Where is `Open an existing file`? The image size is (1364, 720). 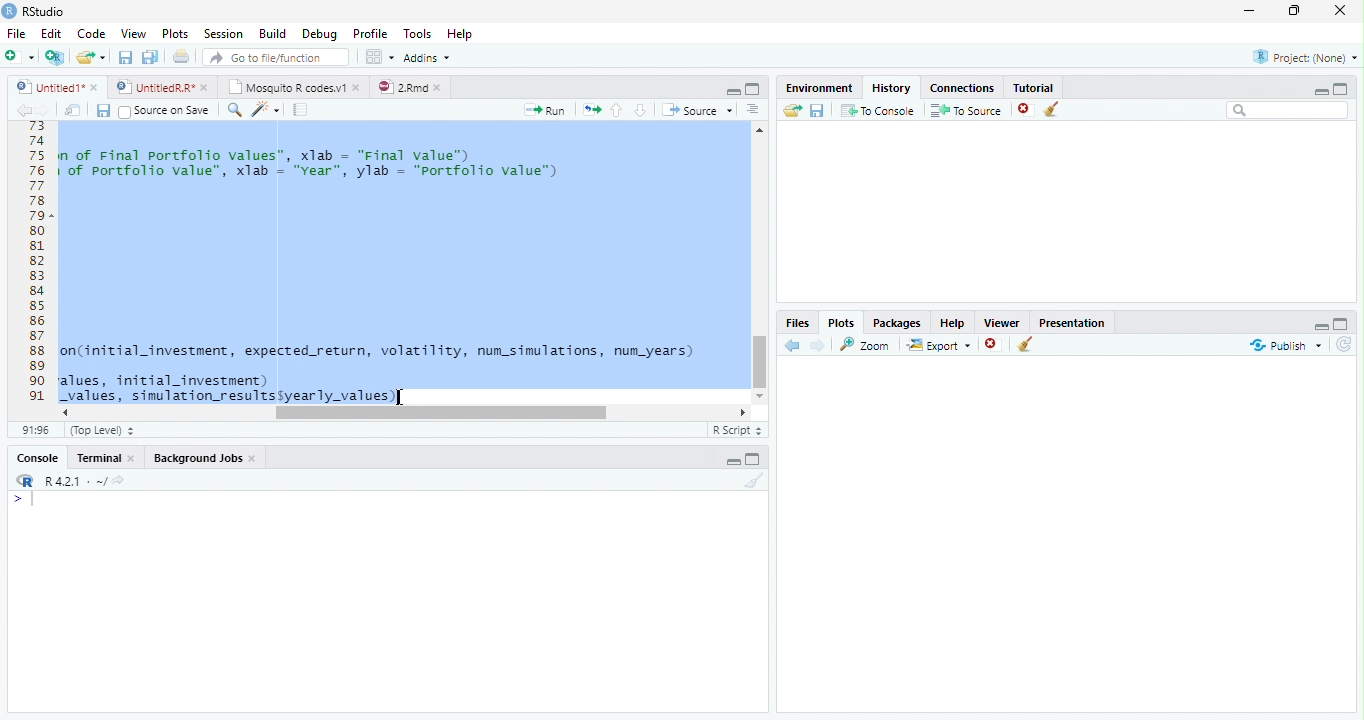 Open an existing file is located at coordinates (91, 56).